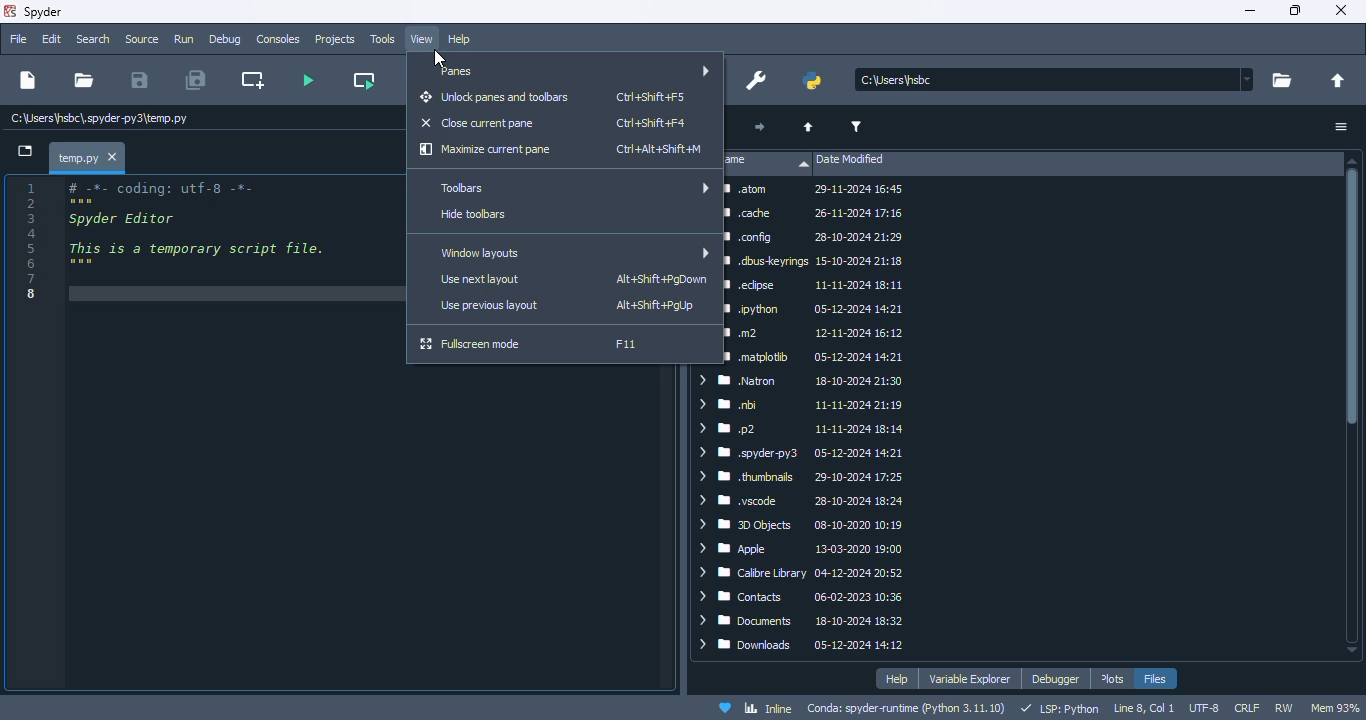  Describe the element at coordinates (196, 80) in the screenshot. I see `save all files` at that location.